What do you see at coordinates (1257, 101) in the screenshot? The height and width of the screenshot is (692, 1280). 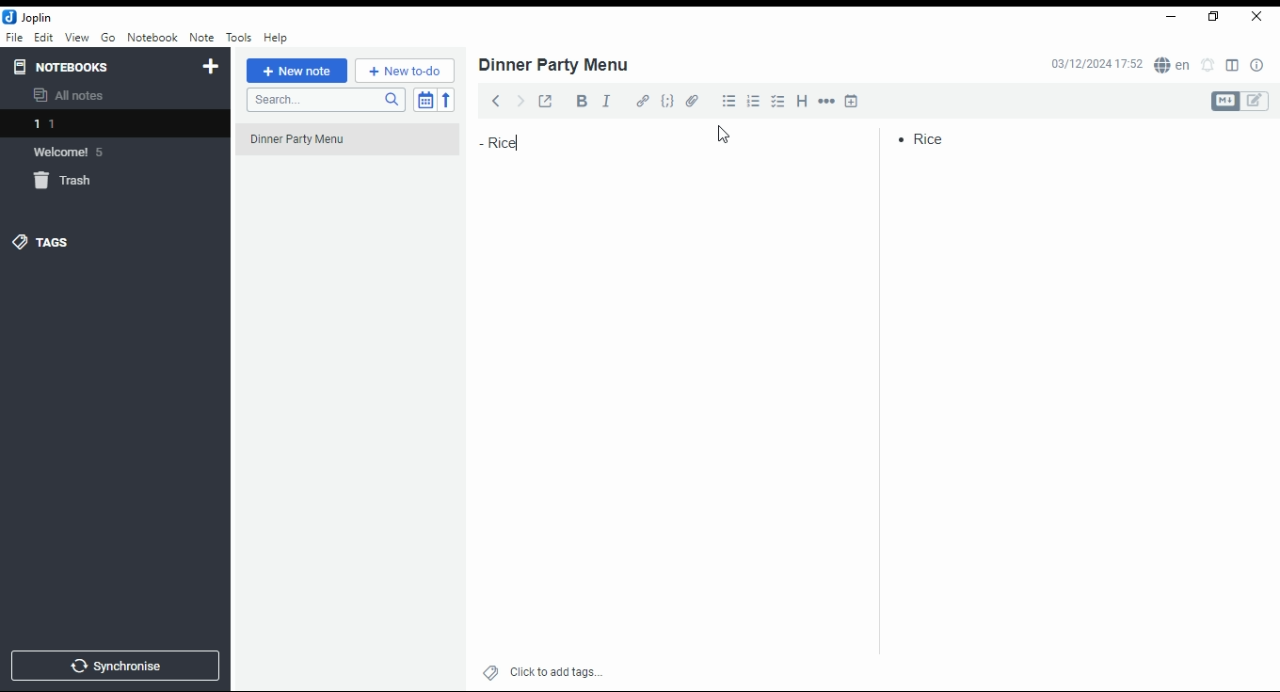 I see `edit` at bounding box center [1257, 101].